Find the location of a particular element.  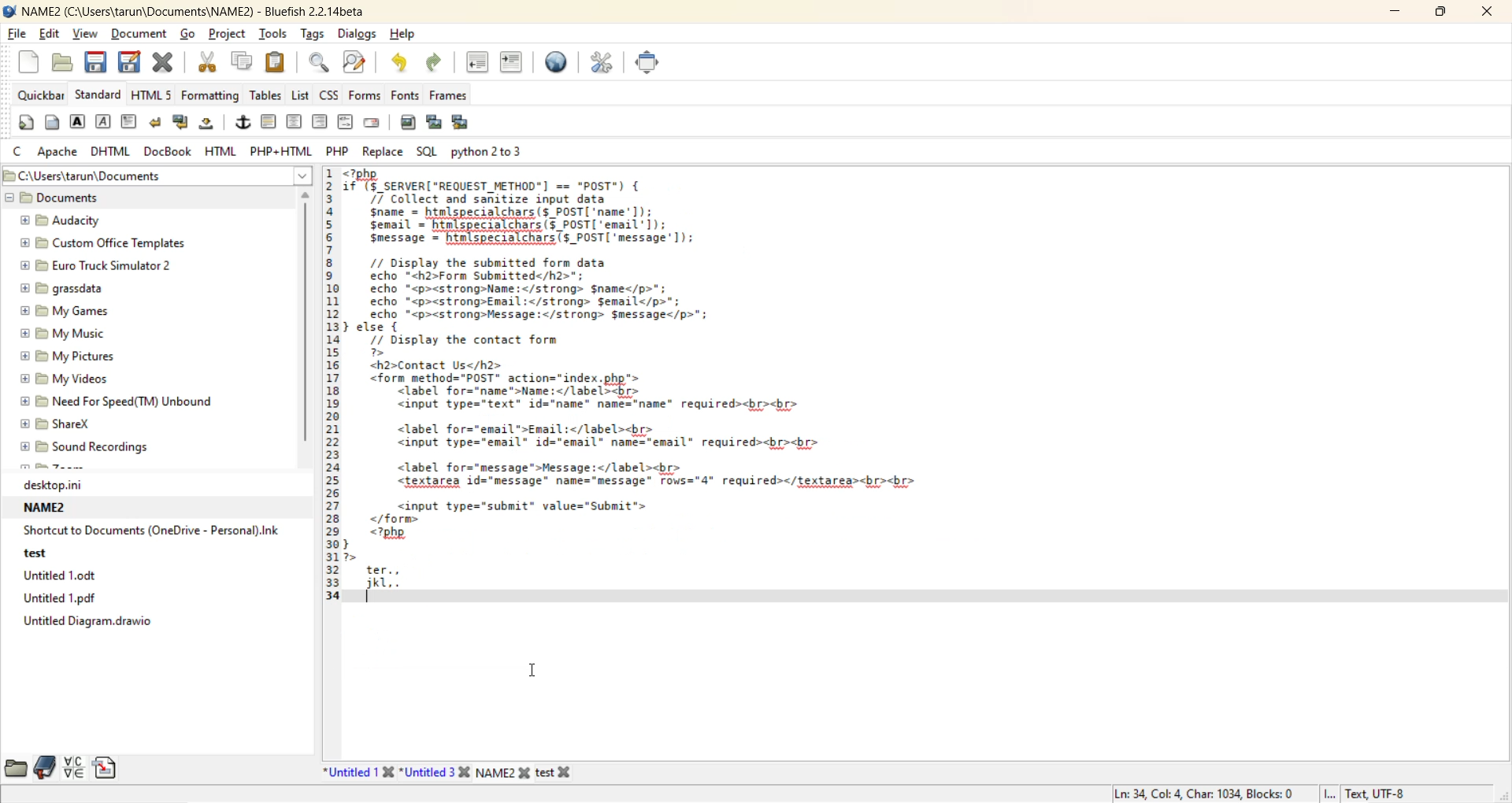

open is located at coordinates (65, 65).